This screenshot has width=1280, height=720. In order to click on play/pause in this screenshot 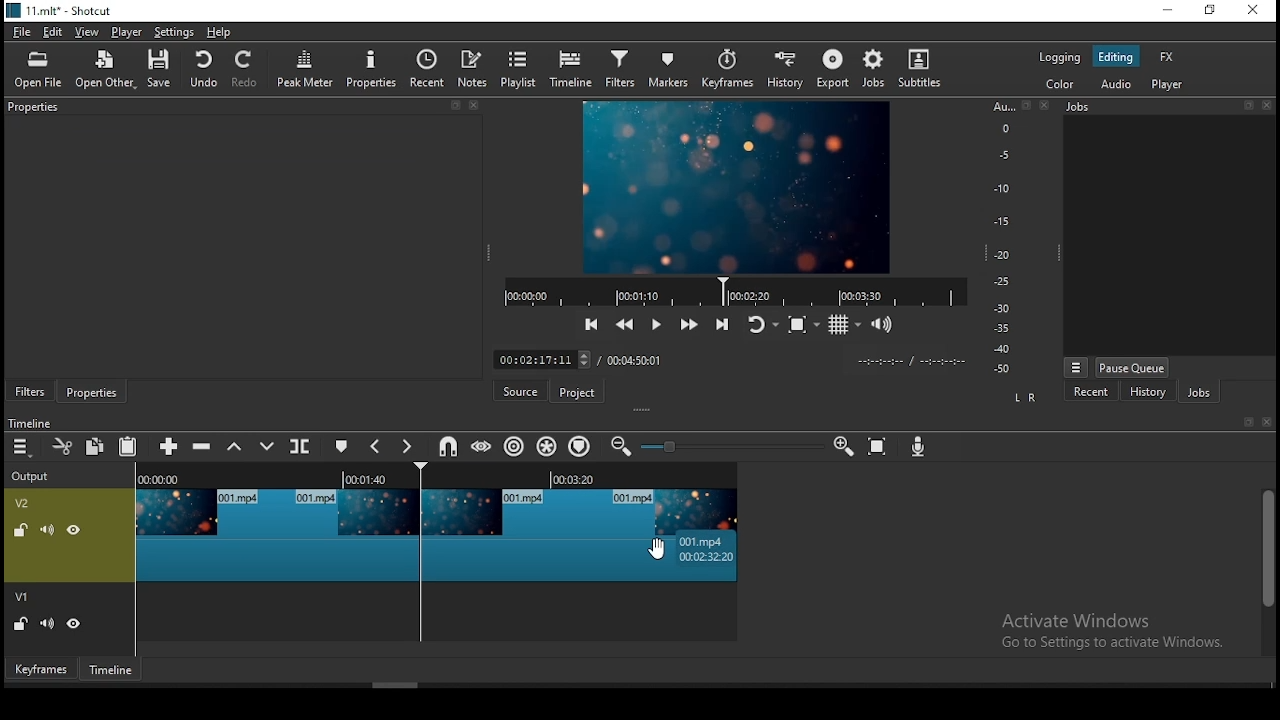, I will do `click(659, 322)`.